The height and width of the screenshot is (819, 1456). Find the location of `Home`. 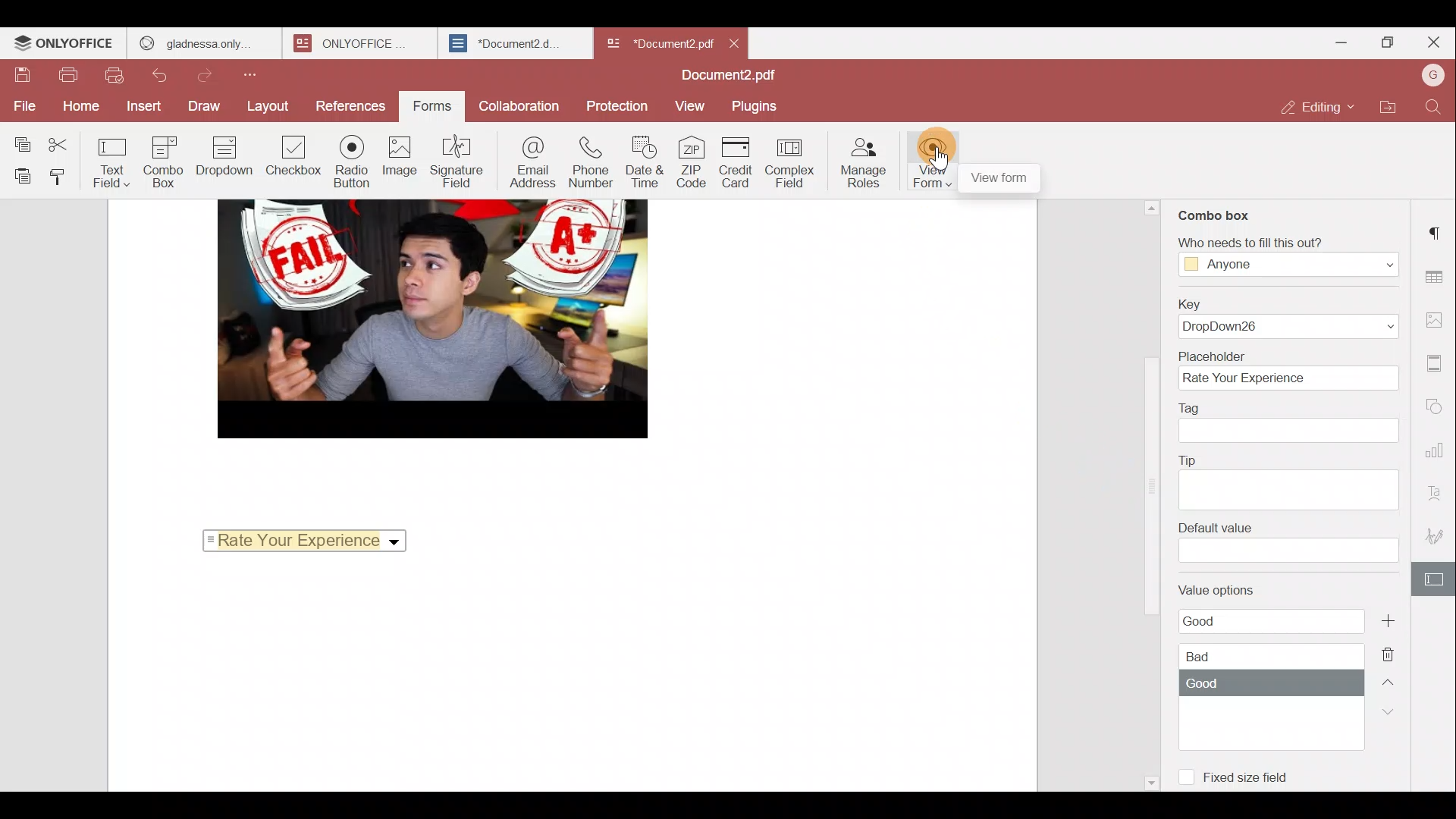

Home is located at coordinates (77, 108).